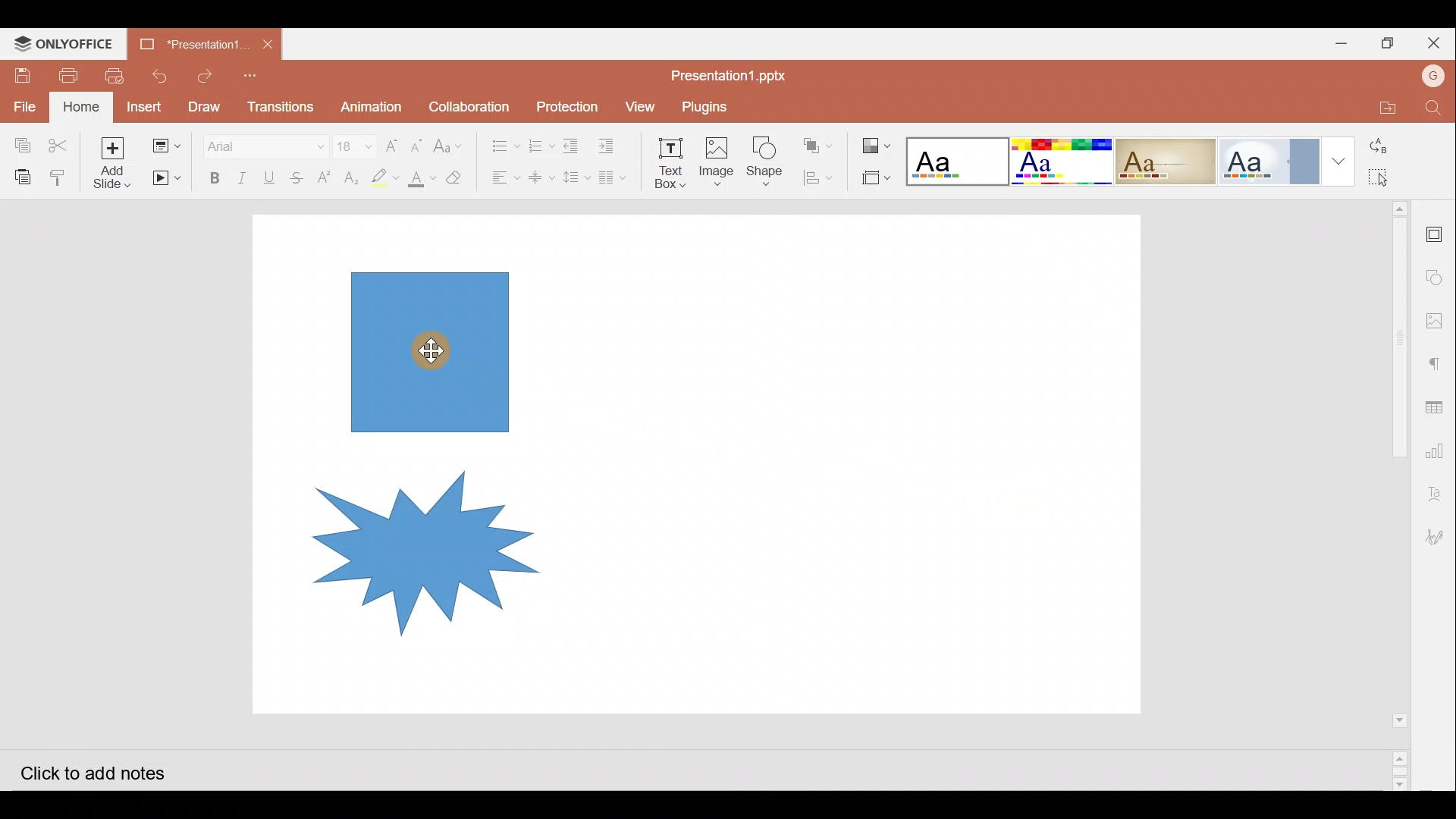 The height and width of the screenshot is (819, 1456). I want to click on Object 1, so click(428, 351).